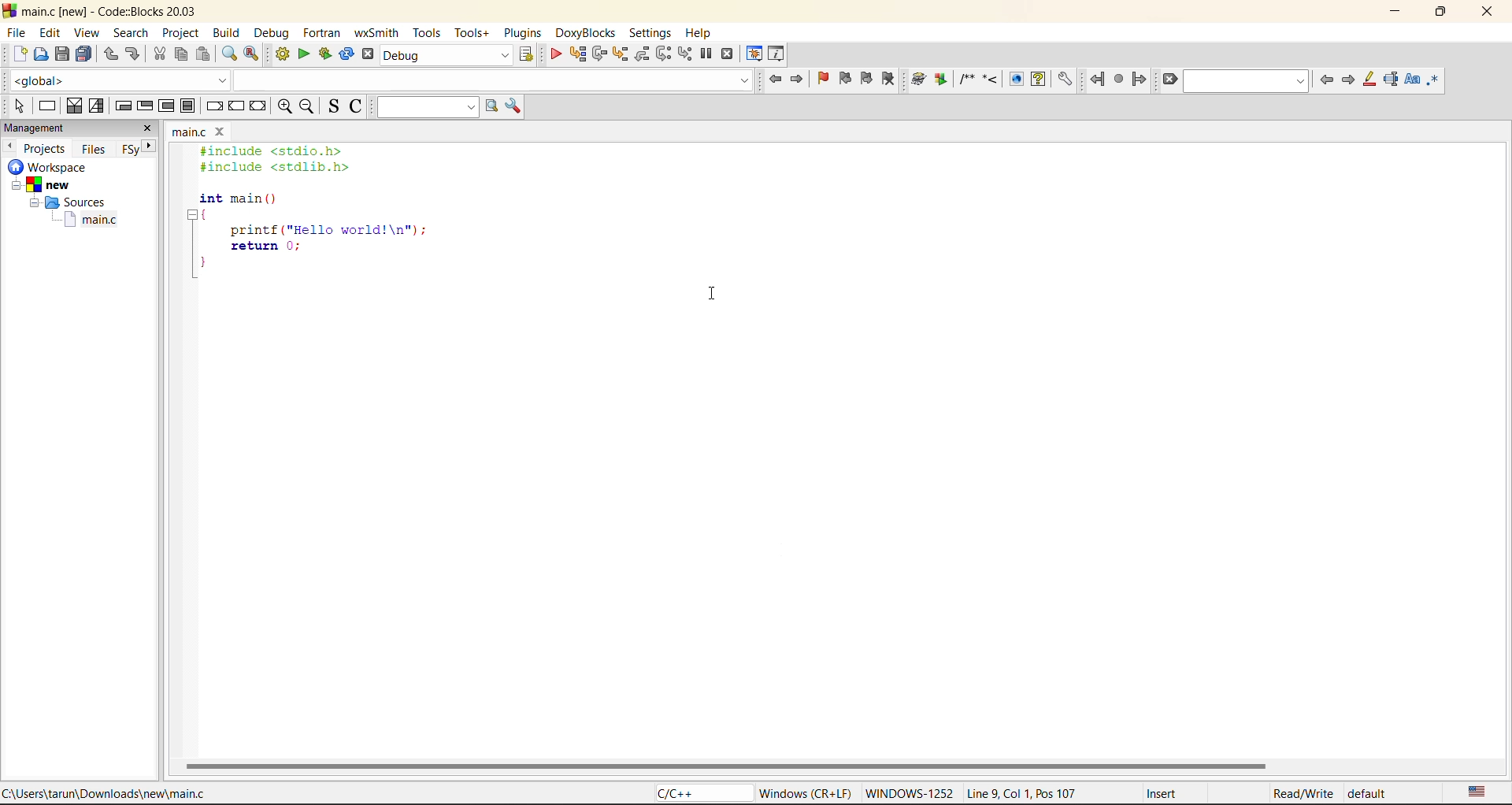 The width and height of the screenshot is (1512, 805). I want to click on debugging windows, so click(754, 54).